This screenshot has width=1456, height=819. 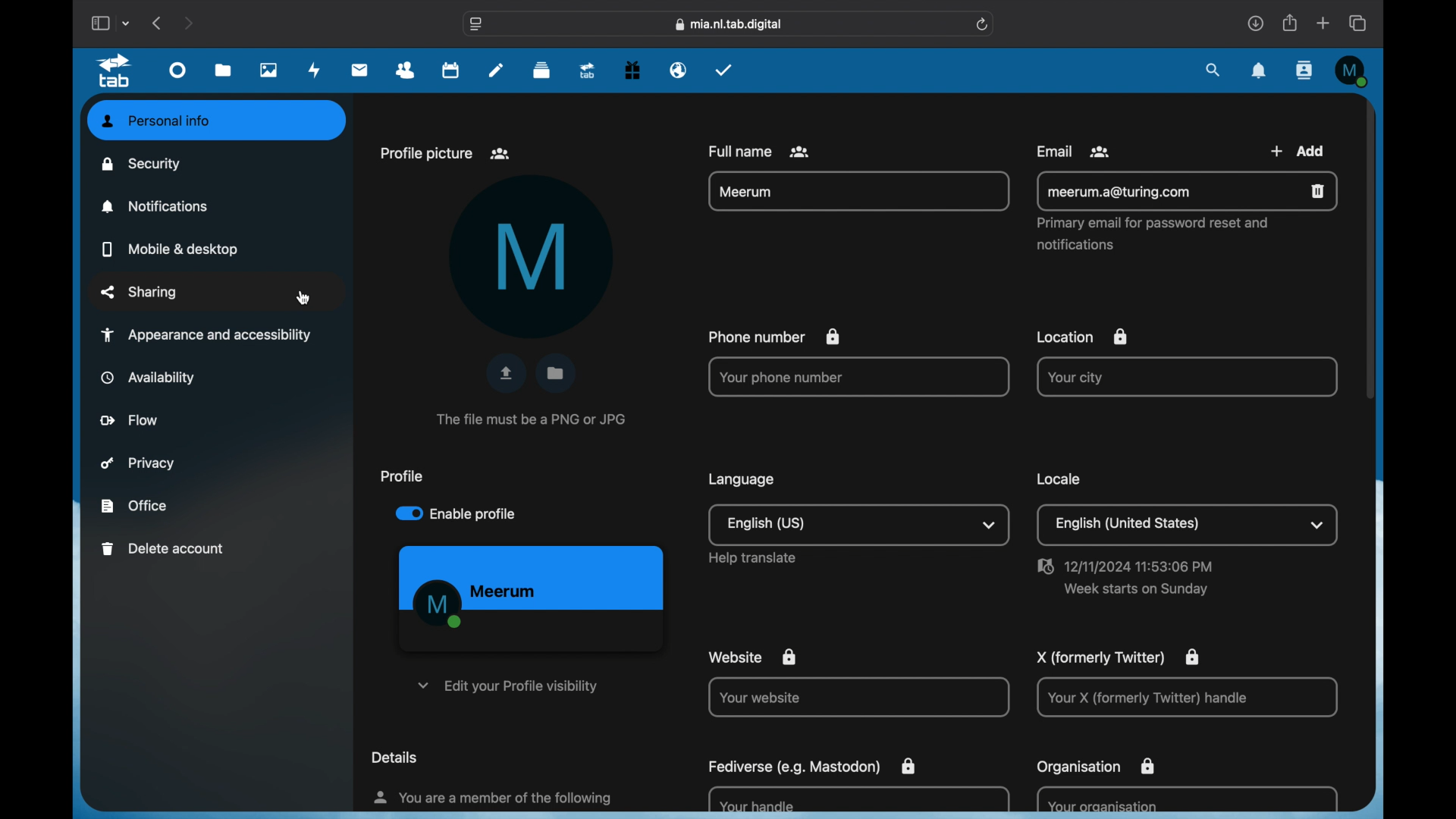 What do you see at coordinates (304, 297) in the screenshot?
I see `cursor` at bounding box center [304, 297].